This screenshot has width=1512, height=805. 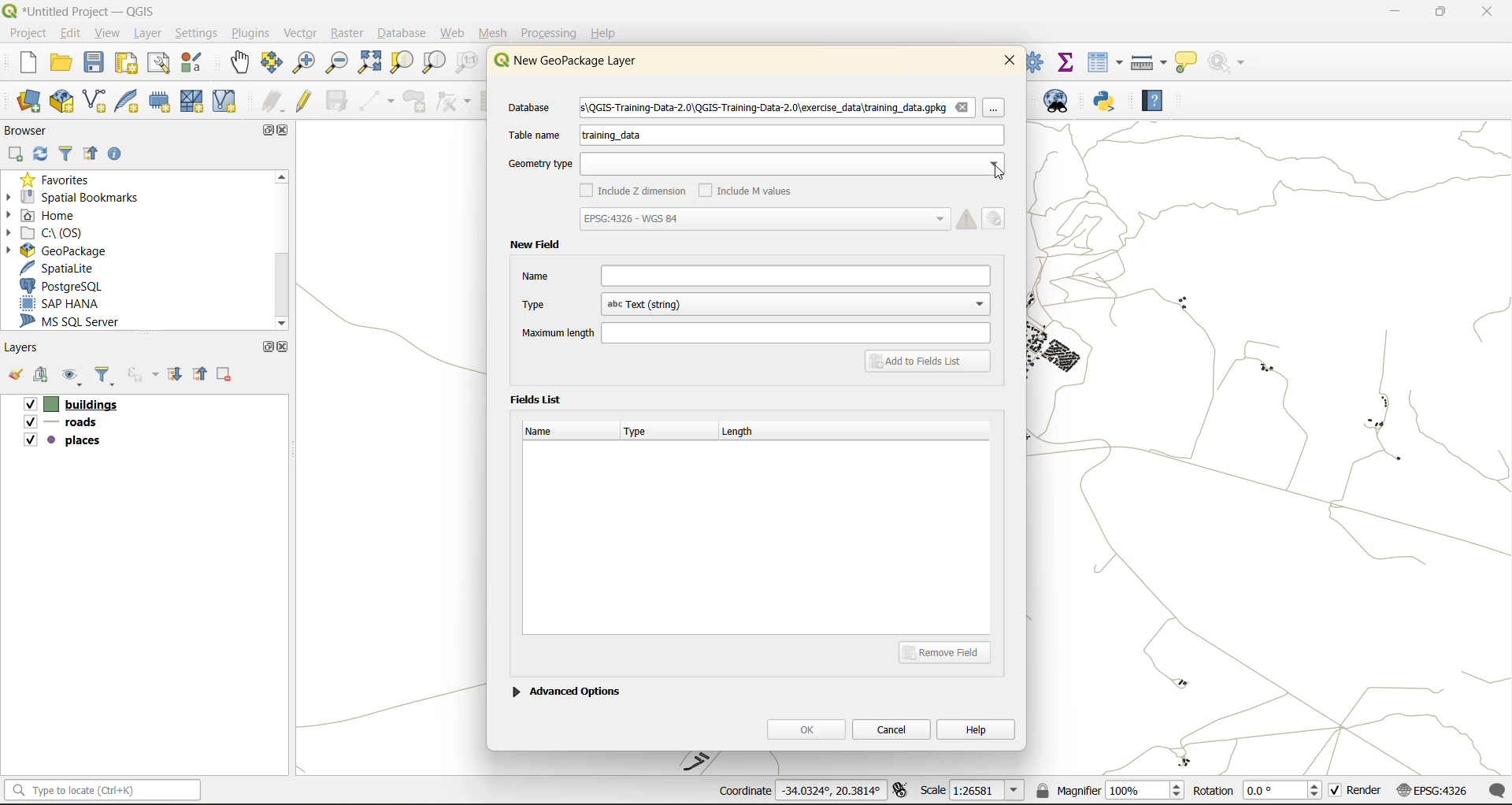 What do you see at coordinates (63, 443) in the screenshot?
I see `places` at bounding box center [63, 443].